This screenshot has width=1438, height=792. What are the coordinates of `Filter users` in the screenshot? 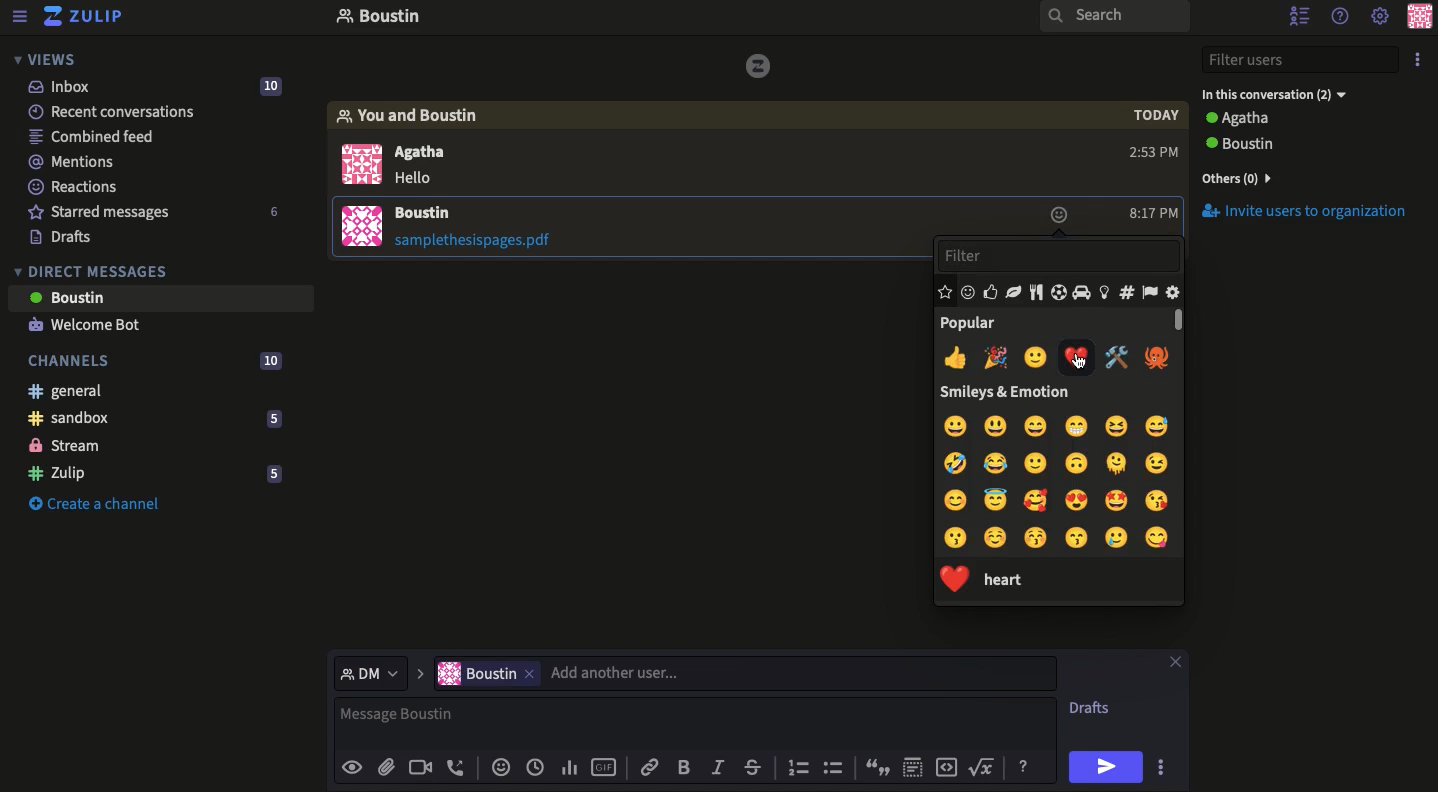 It's located at (1302, 61).